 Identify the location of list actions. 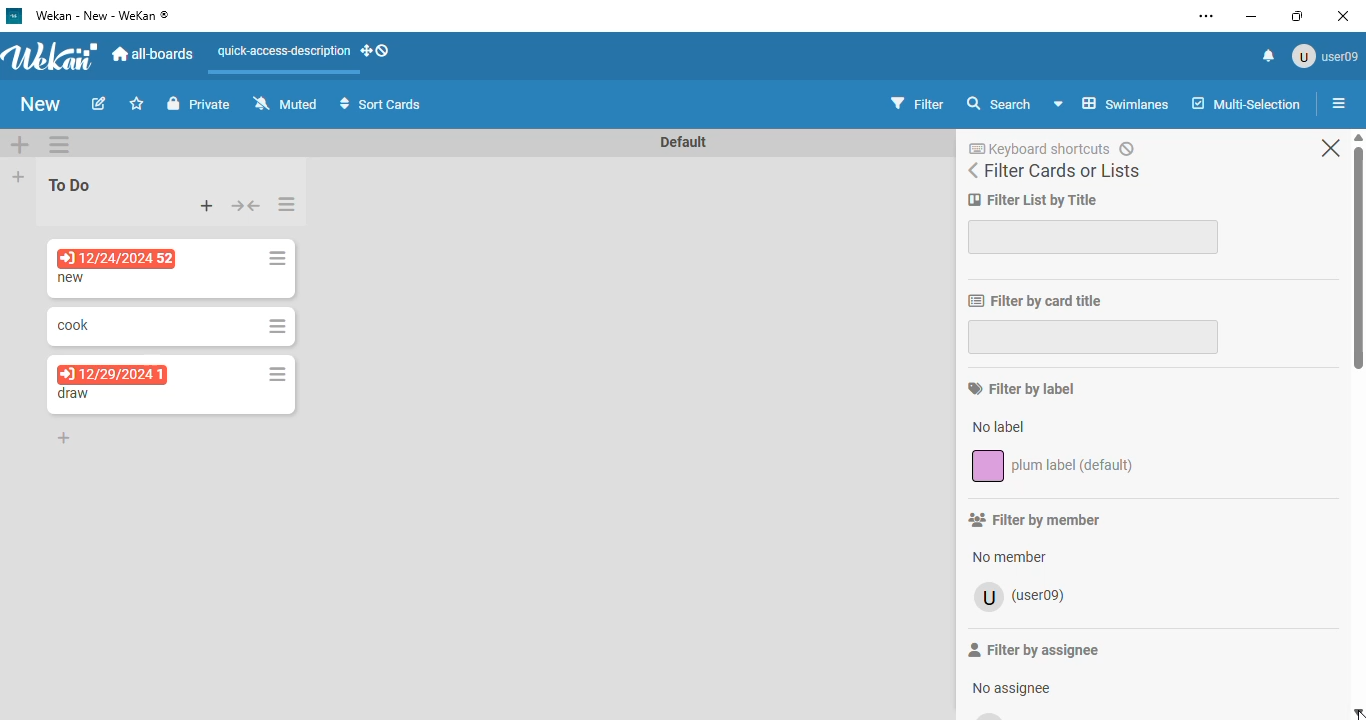
(288, 204).